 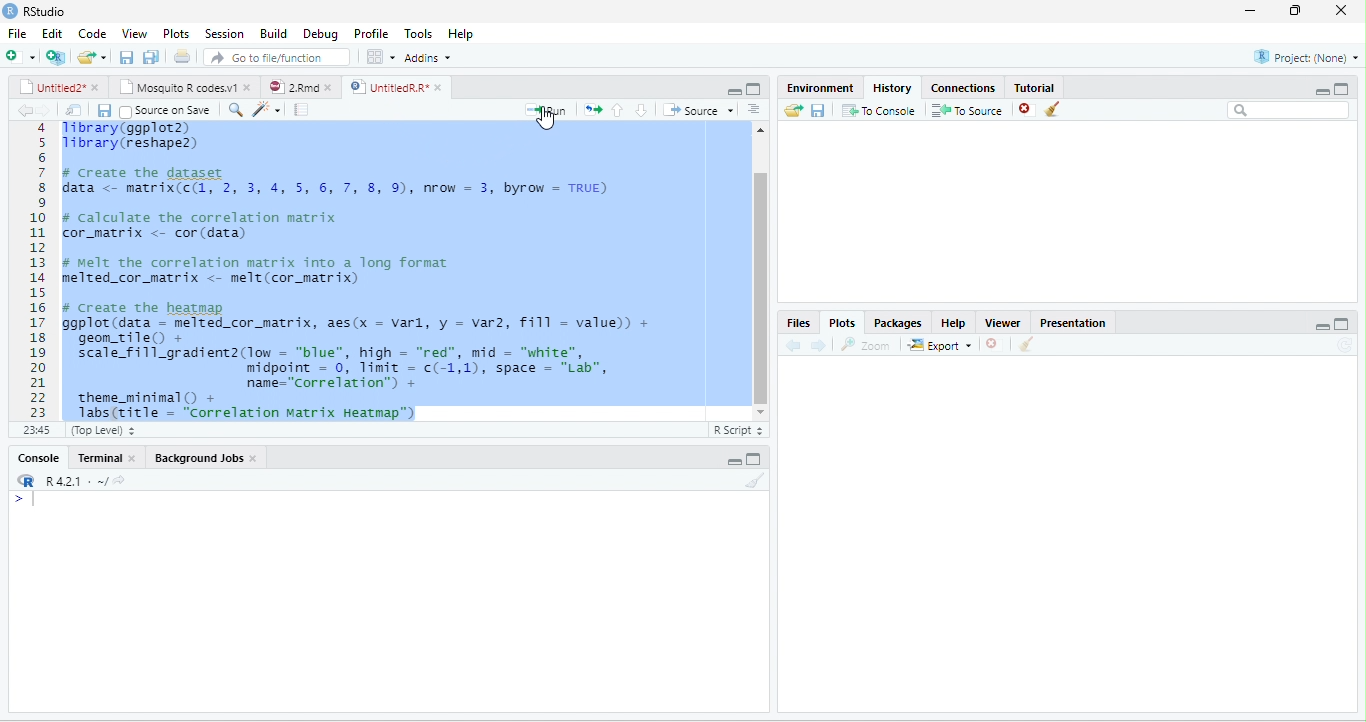 I want to click on close, so click(x=1021, y=110).